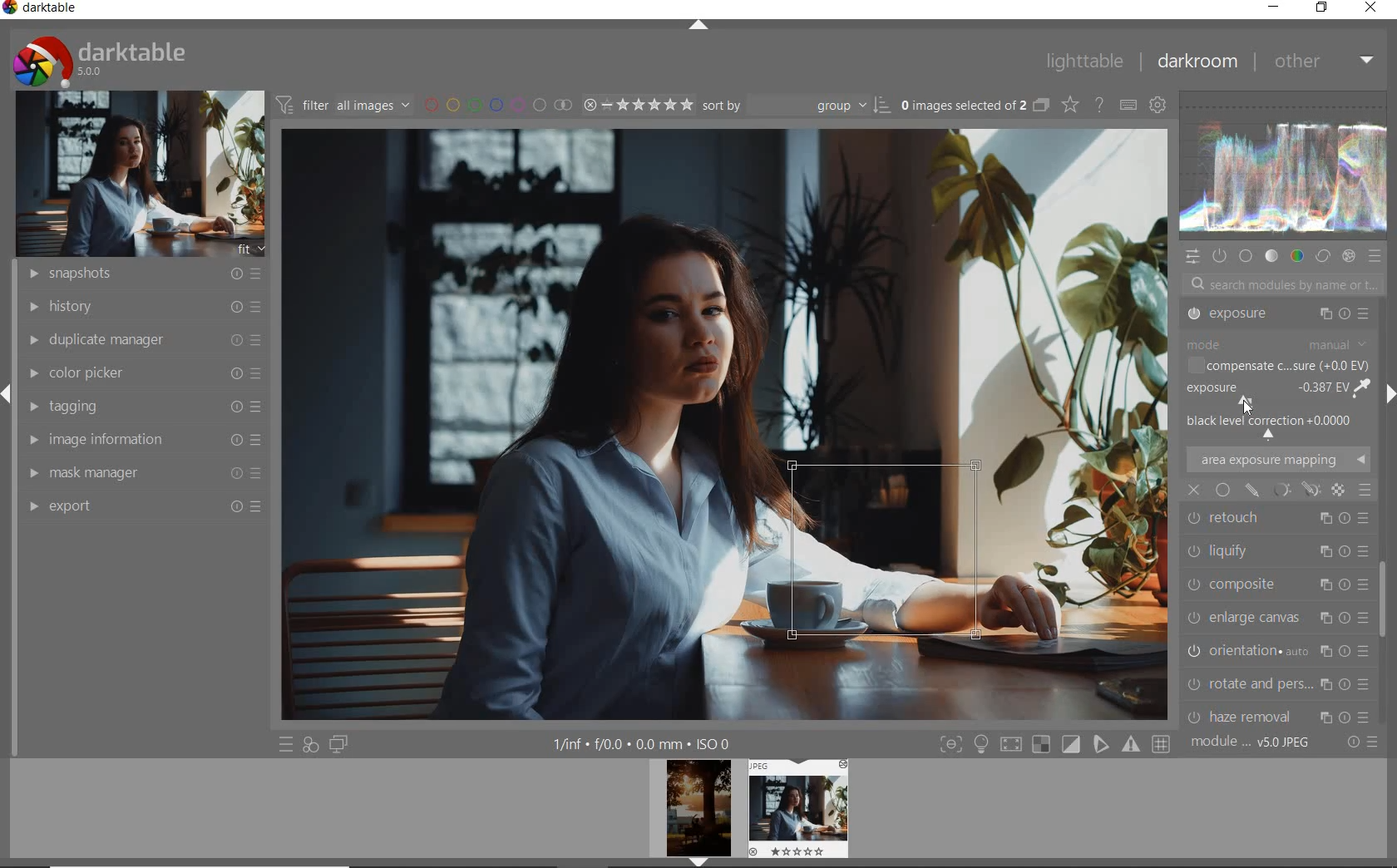  What do you see at coordinates (1286, 712) in the screenshot?
I see `SCALE PIXELS` at bounding box center [1286, 712].